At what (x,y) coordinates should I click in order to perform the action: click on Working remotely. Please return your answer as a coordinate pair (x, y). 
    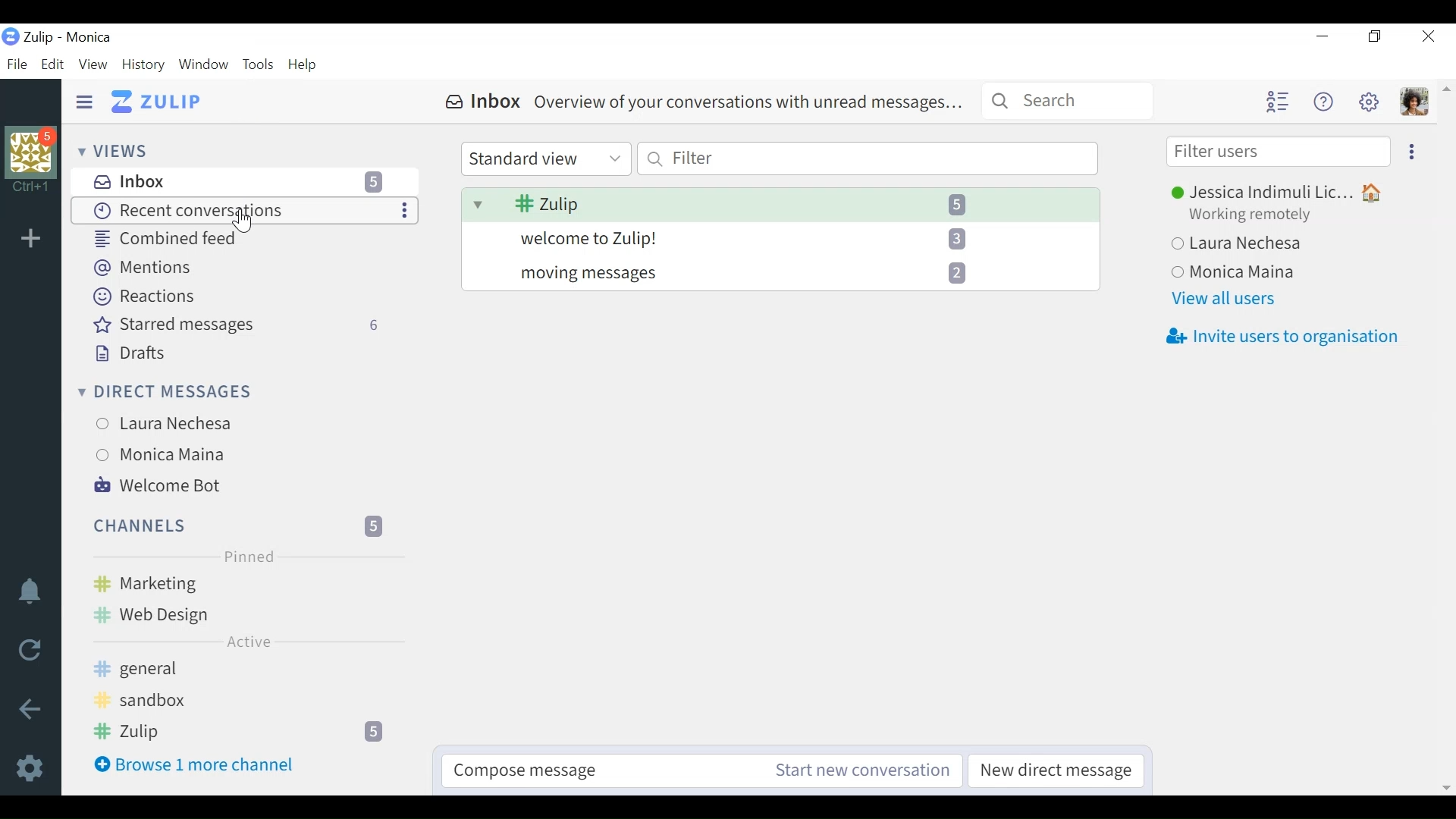
    Looking at the image, I should click on (1255, 217).